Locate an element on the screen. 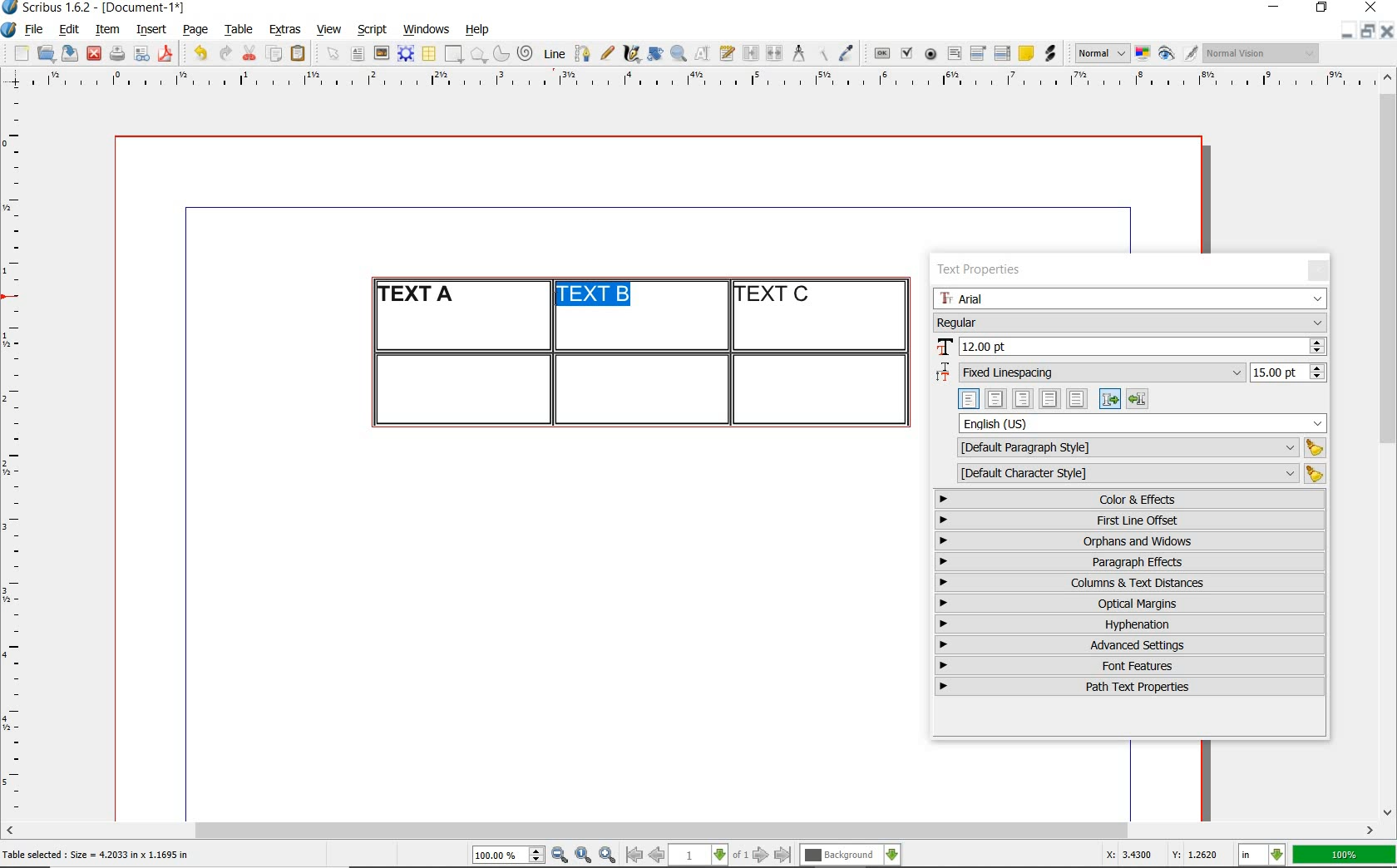  save as pdf is located at coordinates (168, 53).